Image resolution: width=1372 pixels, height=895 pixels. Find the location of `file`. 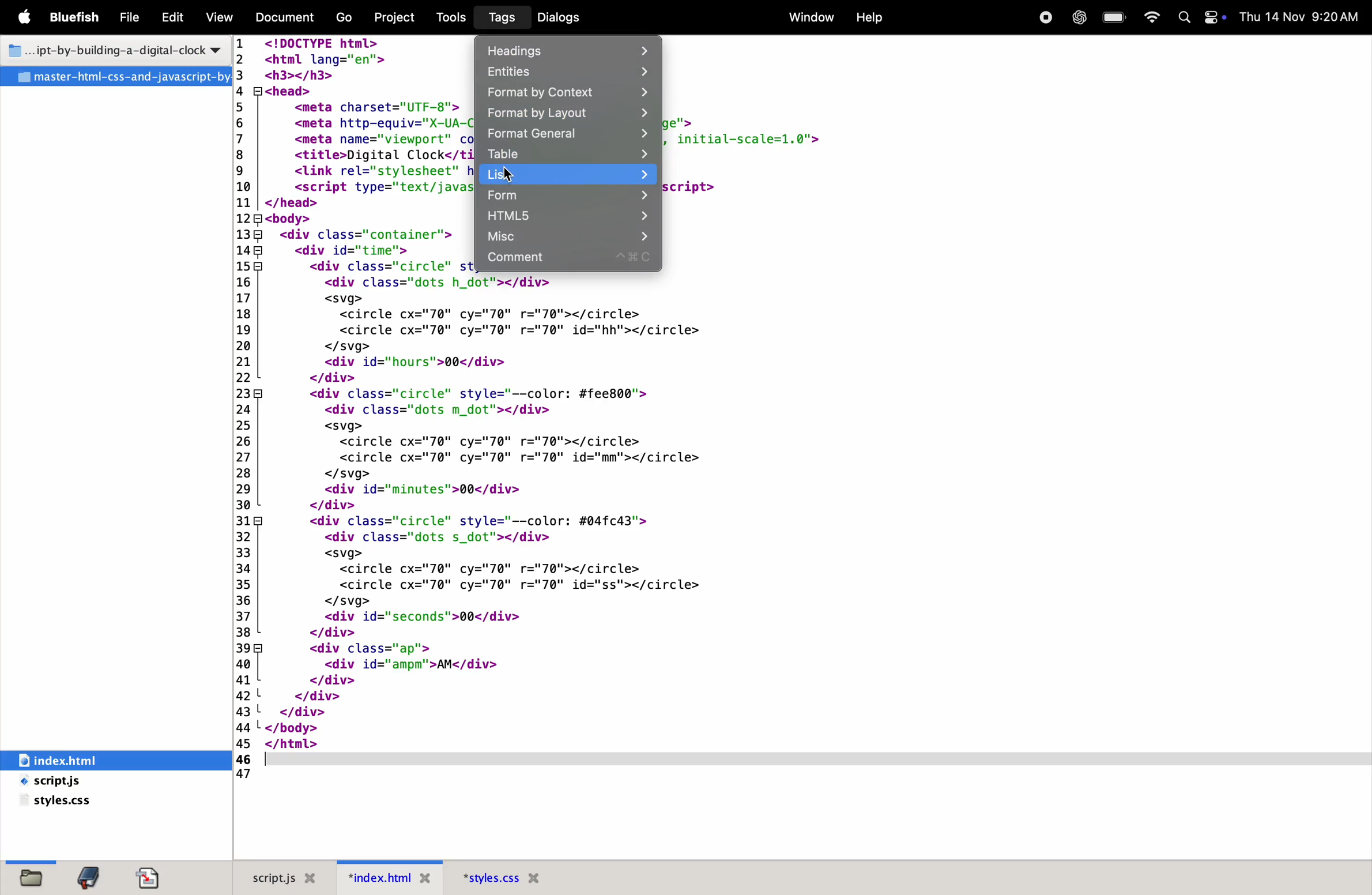

file is located at coordinates (32, 879).